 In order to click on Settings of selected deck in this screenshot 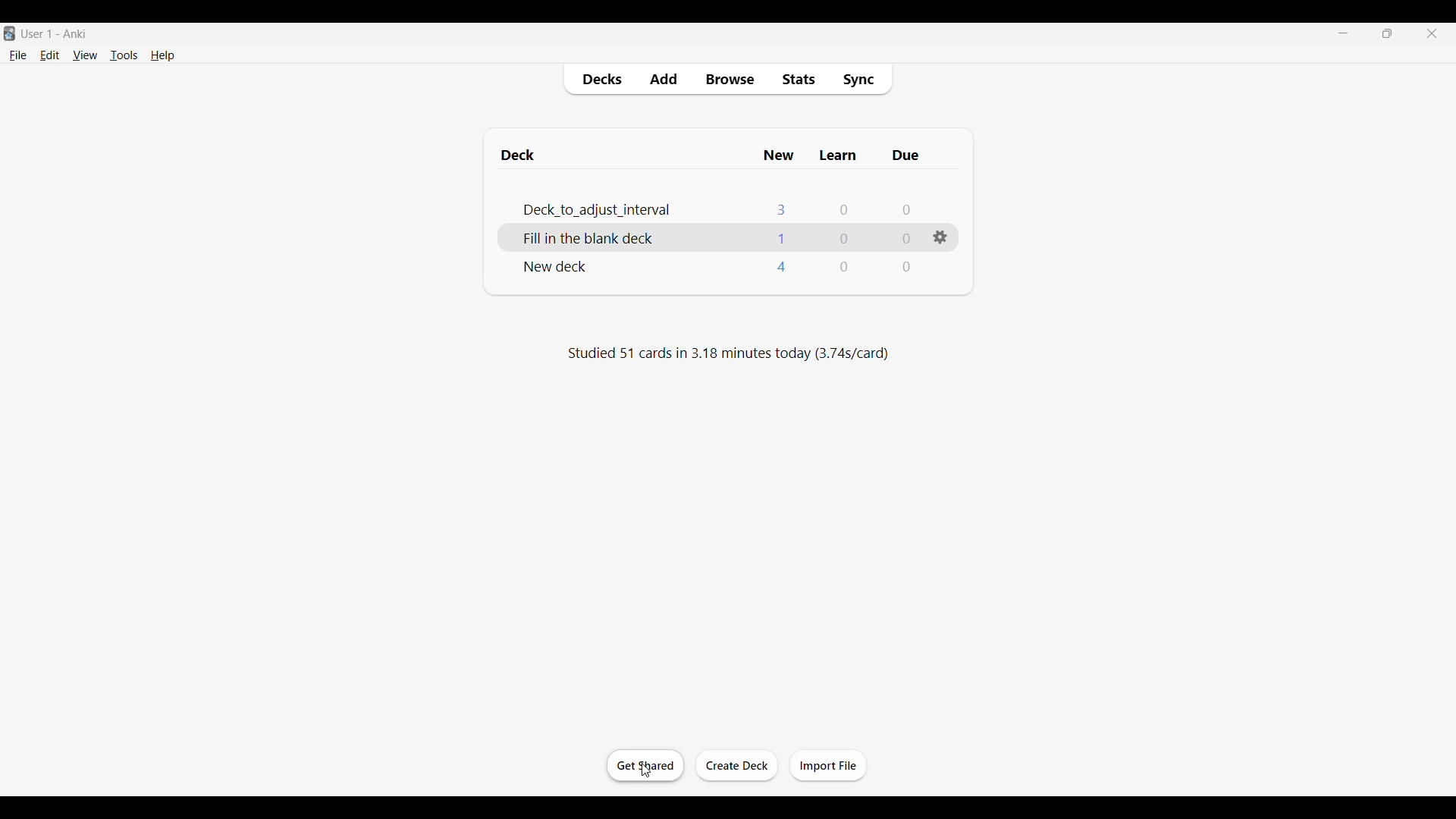, I will do `click(940, 237)`.